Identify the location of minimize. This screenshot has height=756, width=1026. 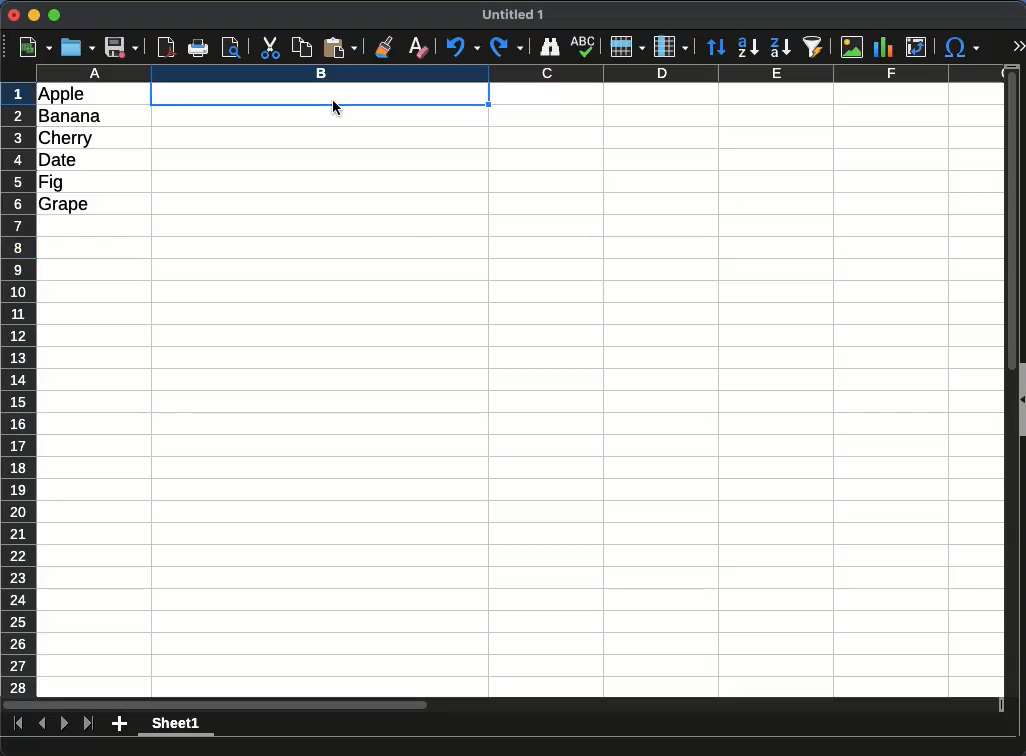
(35, 14).